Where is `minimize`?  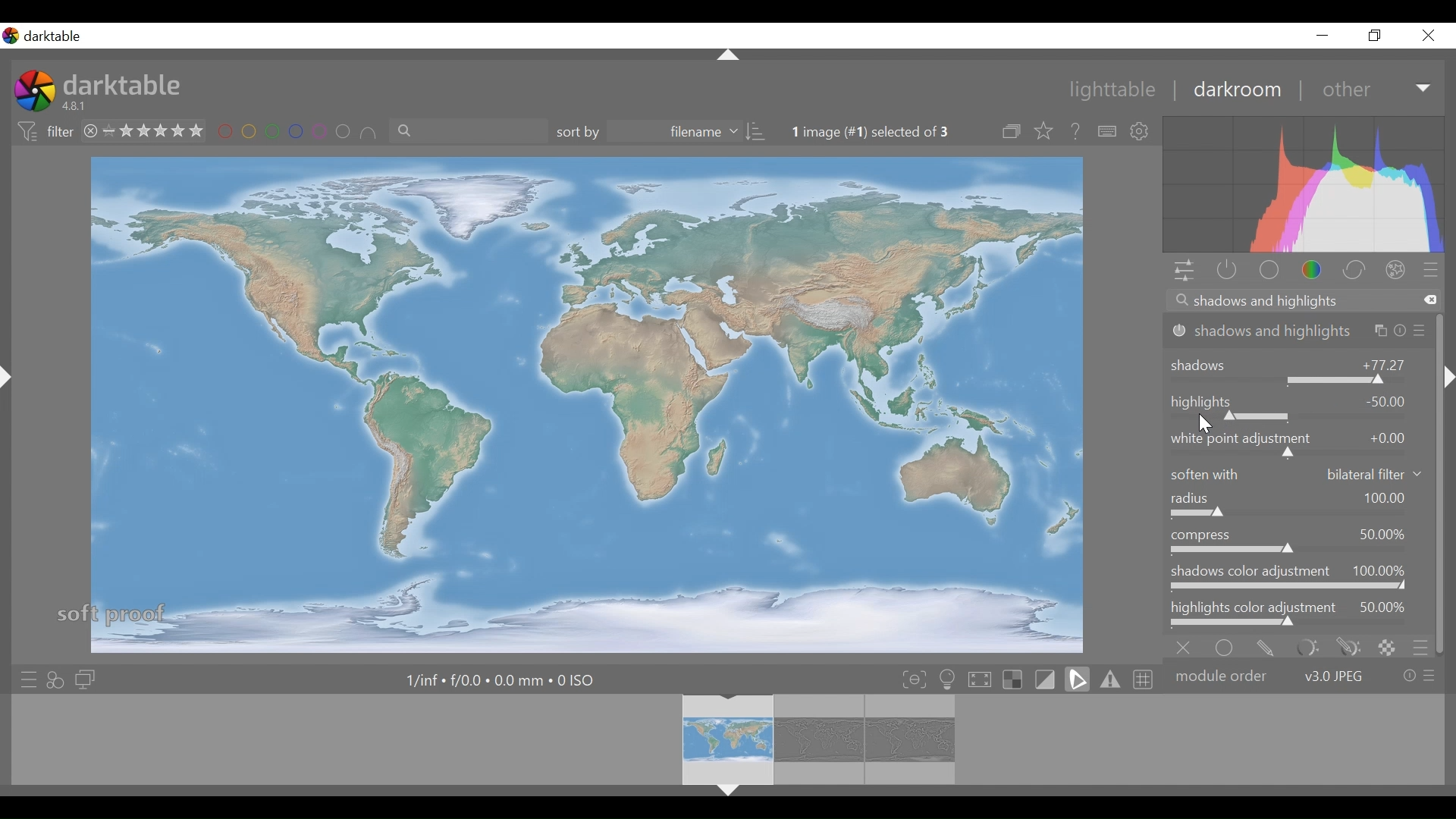 minimize is located at coordinates (1326, 35).